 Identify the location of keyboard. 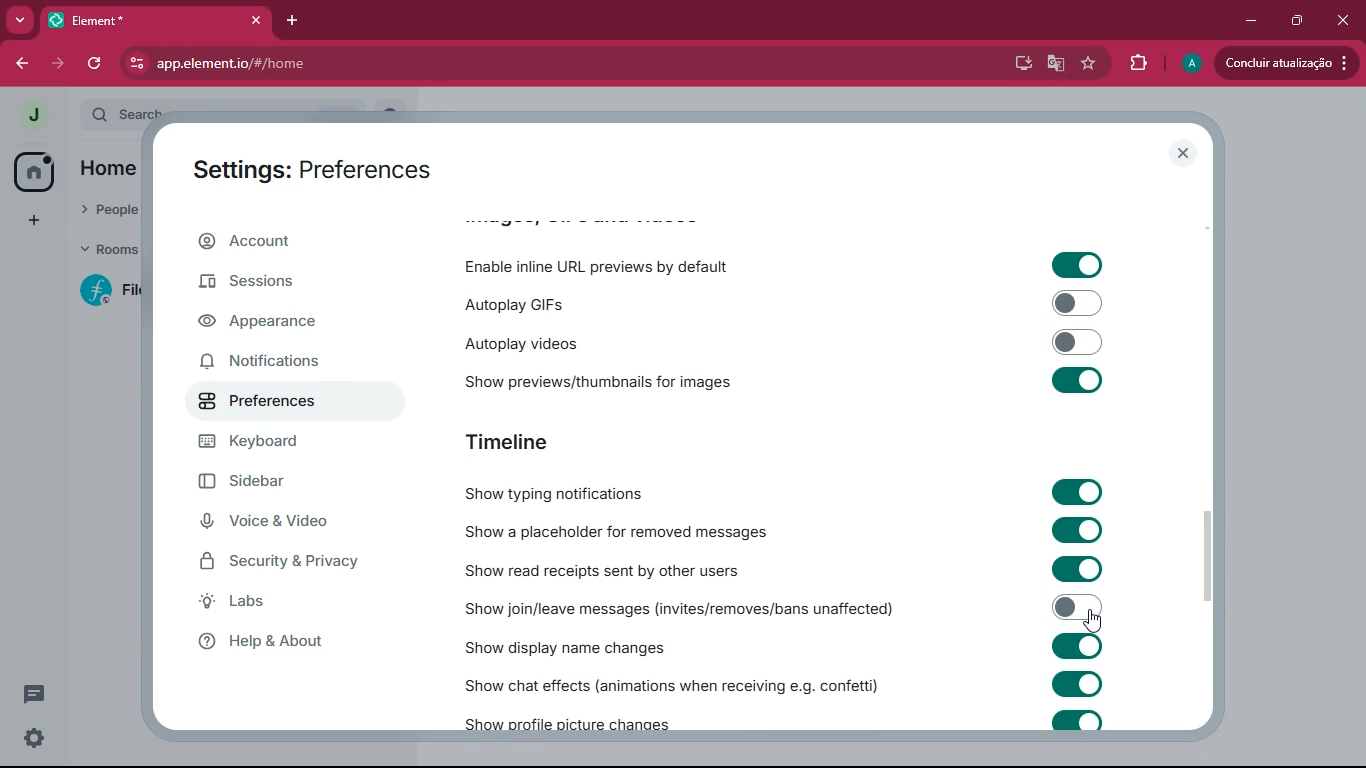
(282, 442).